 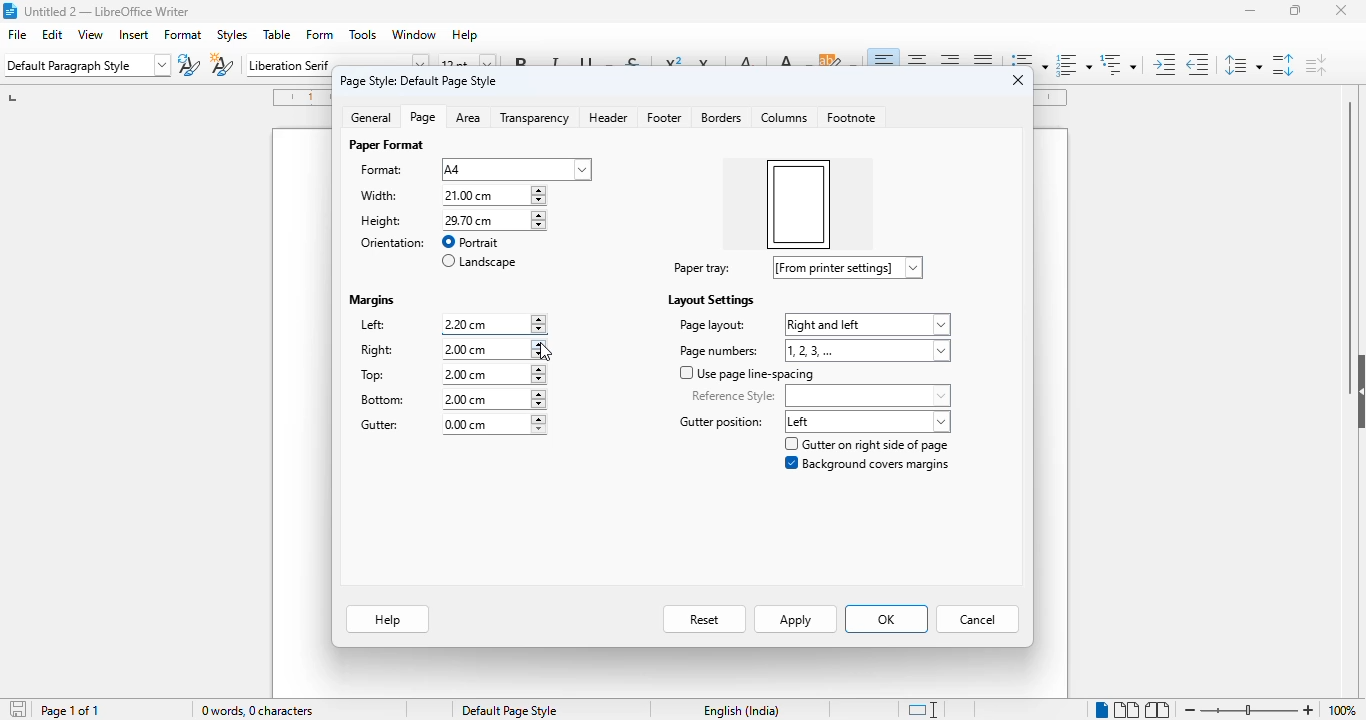 What do you see at coordinates (871, 396) in the screenshot?
I see `reference style options` at bounding box center [871, 396].